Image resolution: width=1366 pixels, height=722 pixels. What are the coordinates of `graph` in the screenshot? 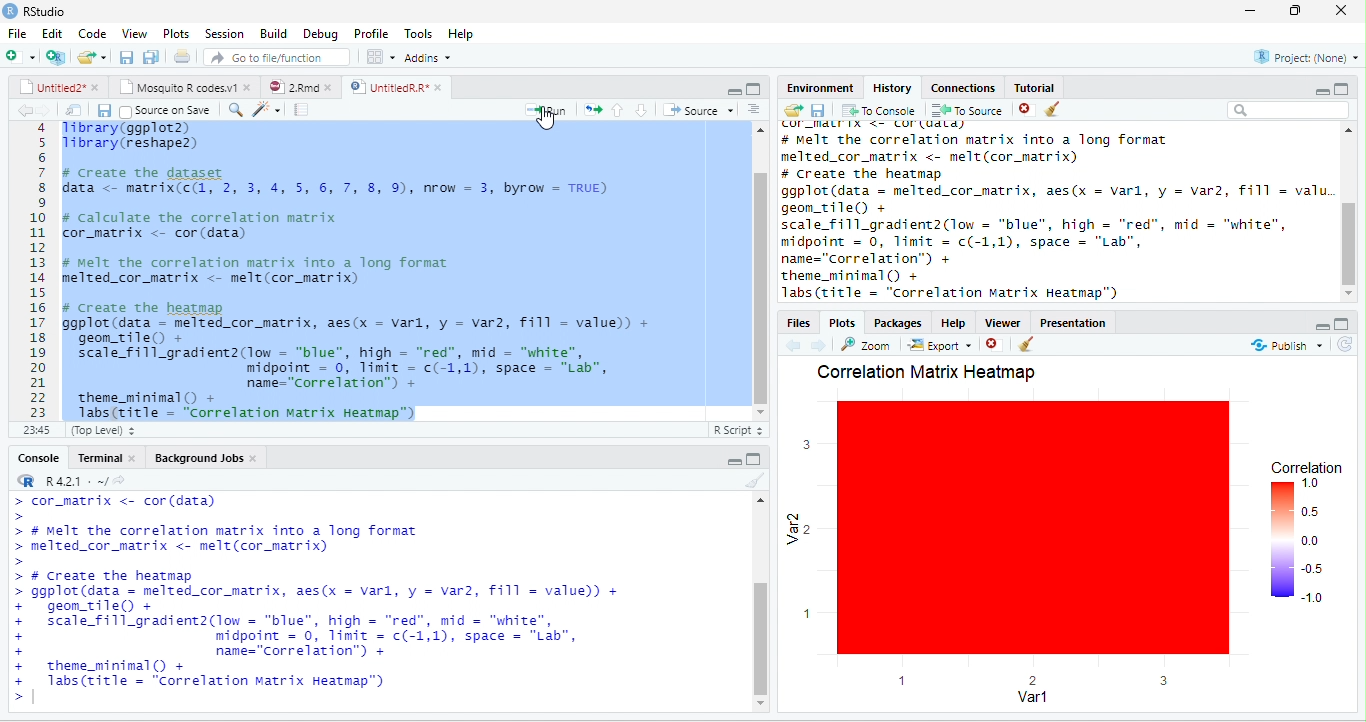 It's located at (1015, 556).